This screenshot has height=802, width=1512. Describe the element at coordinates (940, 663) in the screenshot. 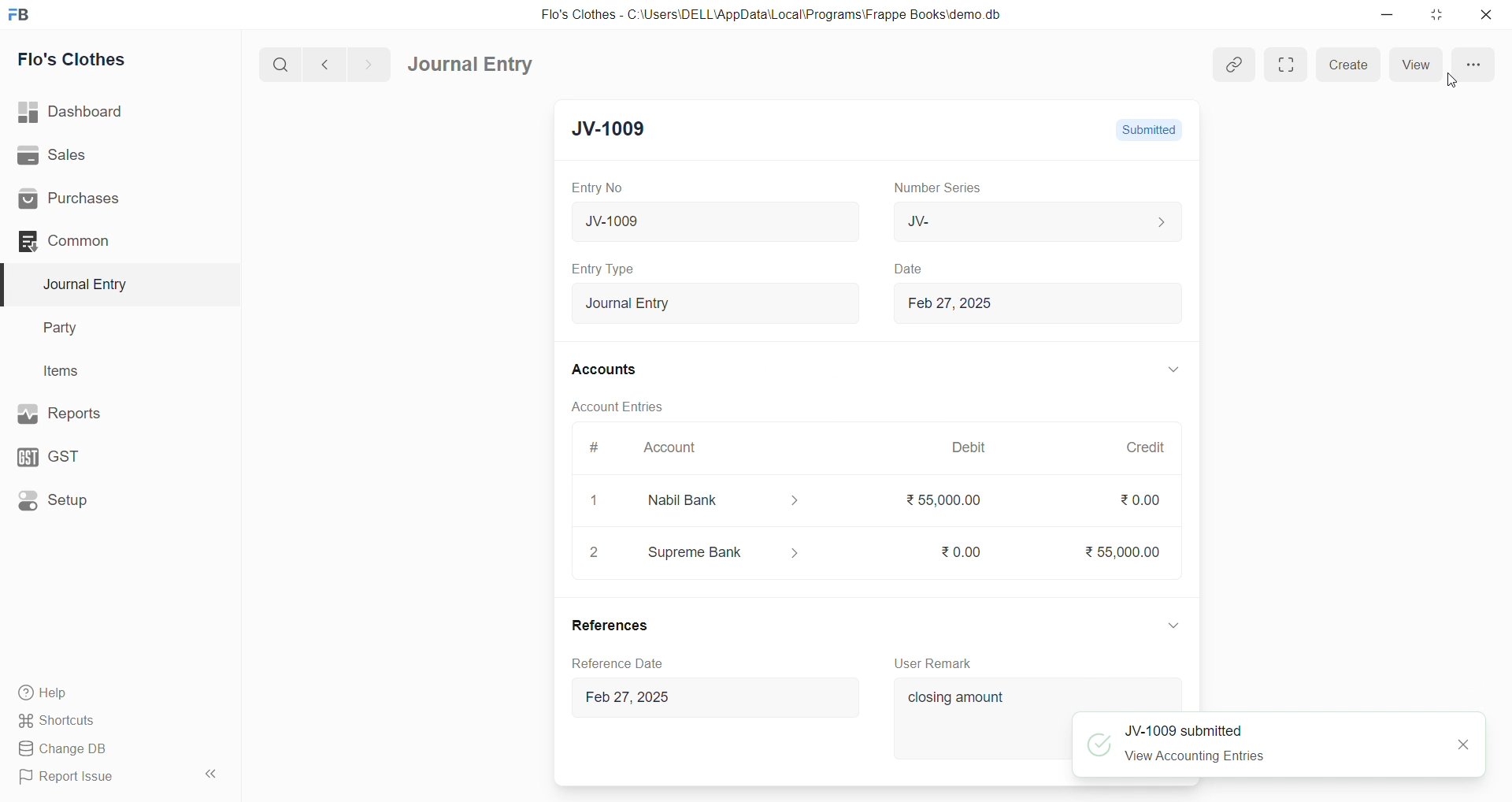

I see `User Remark` at that location.